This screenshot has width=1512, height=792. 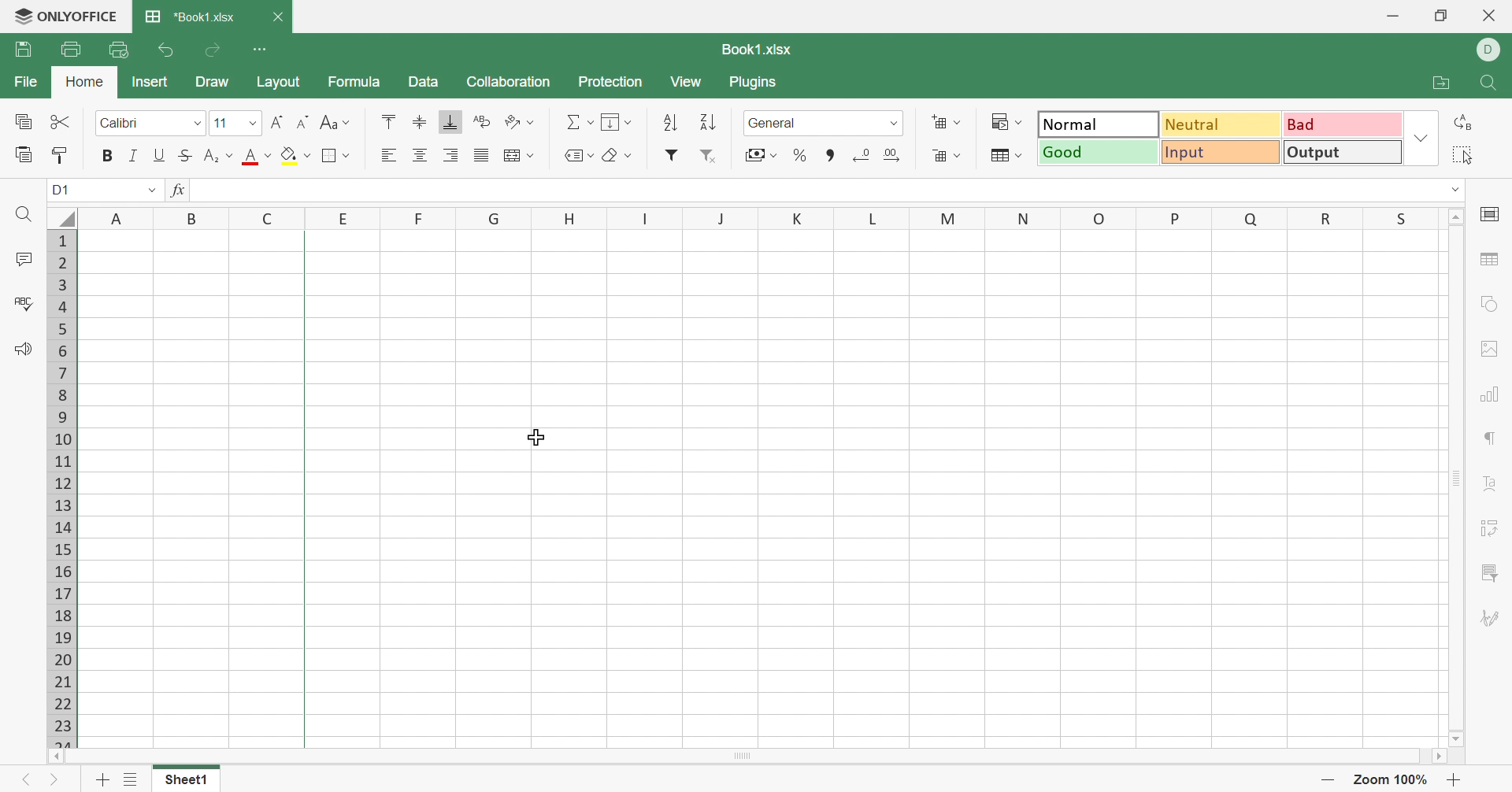 What do you see at coordinates (1492, 616) in the screenshot?
I see `Signature settings` at bounding box center [1492, 616].